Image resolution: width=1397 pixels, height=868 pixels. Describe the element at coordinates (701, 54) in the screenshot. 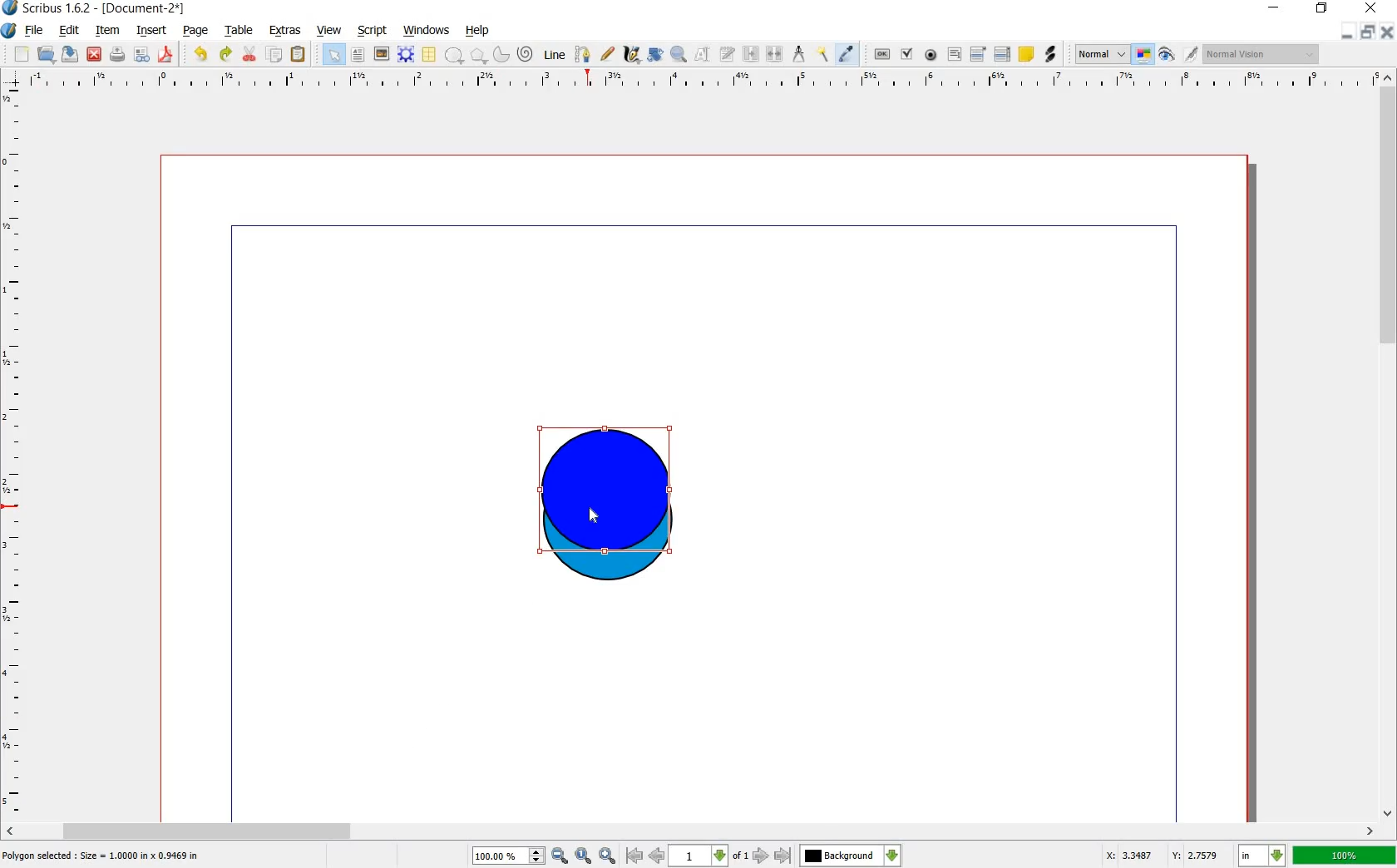

I see `edit contents of frame` at that location.